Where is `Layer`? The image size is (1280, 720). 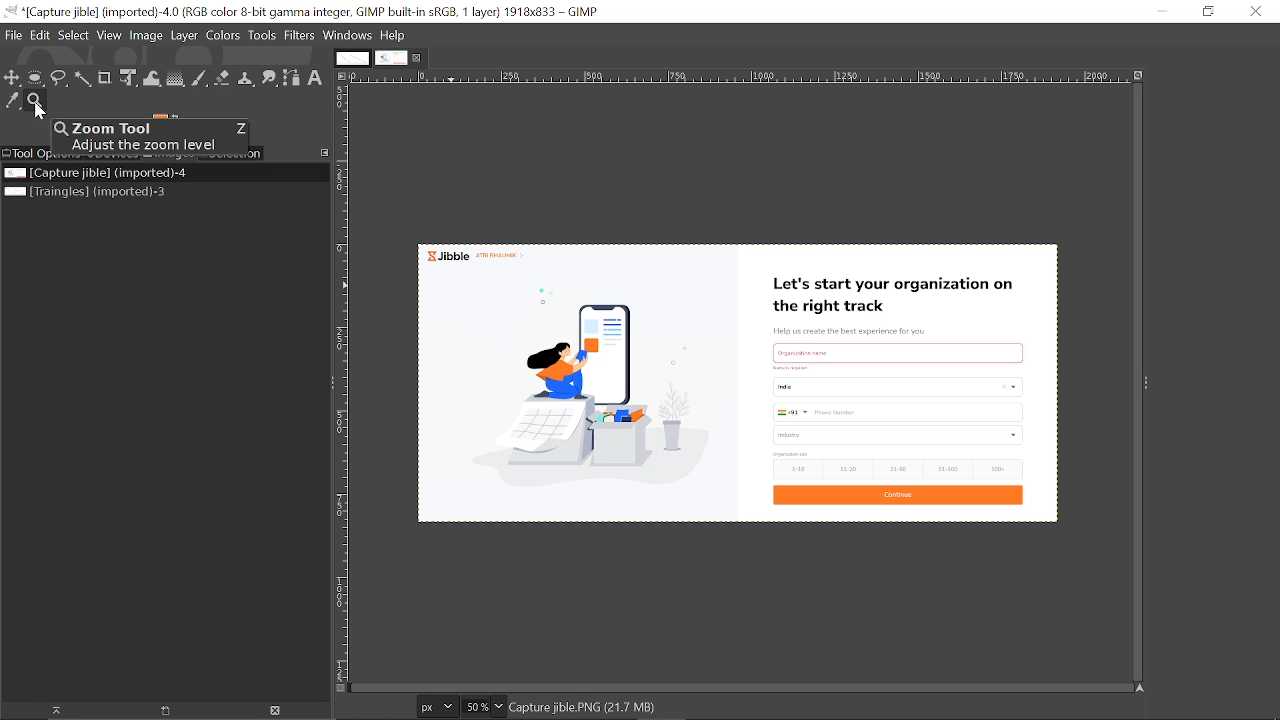 Layer is located at coordinates (184, 36).